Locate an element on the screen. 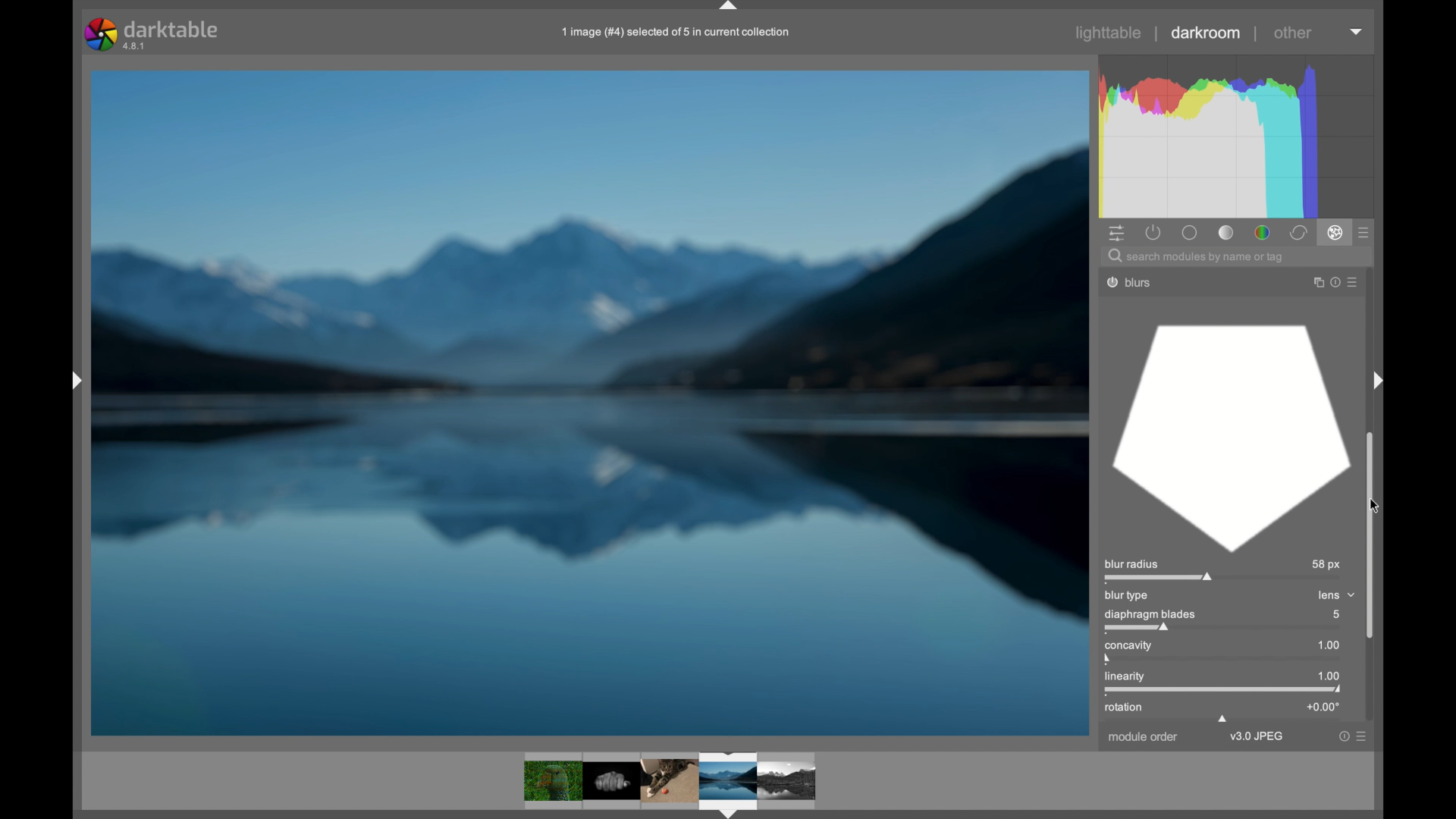  1.00 is located at coordinates (1329, 645).